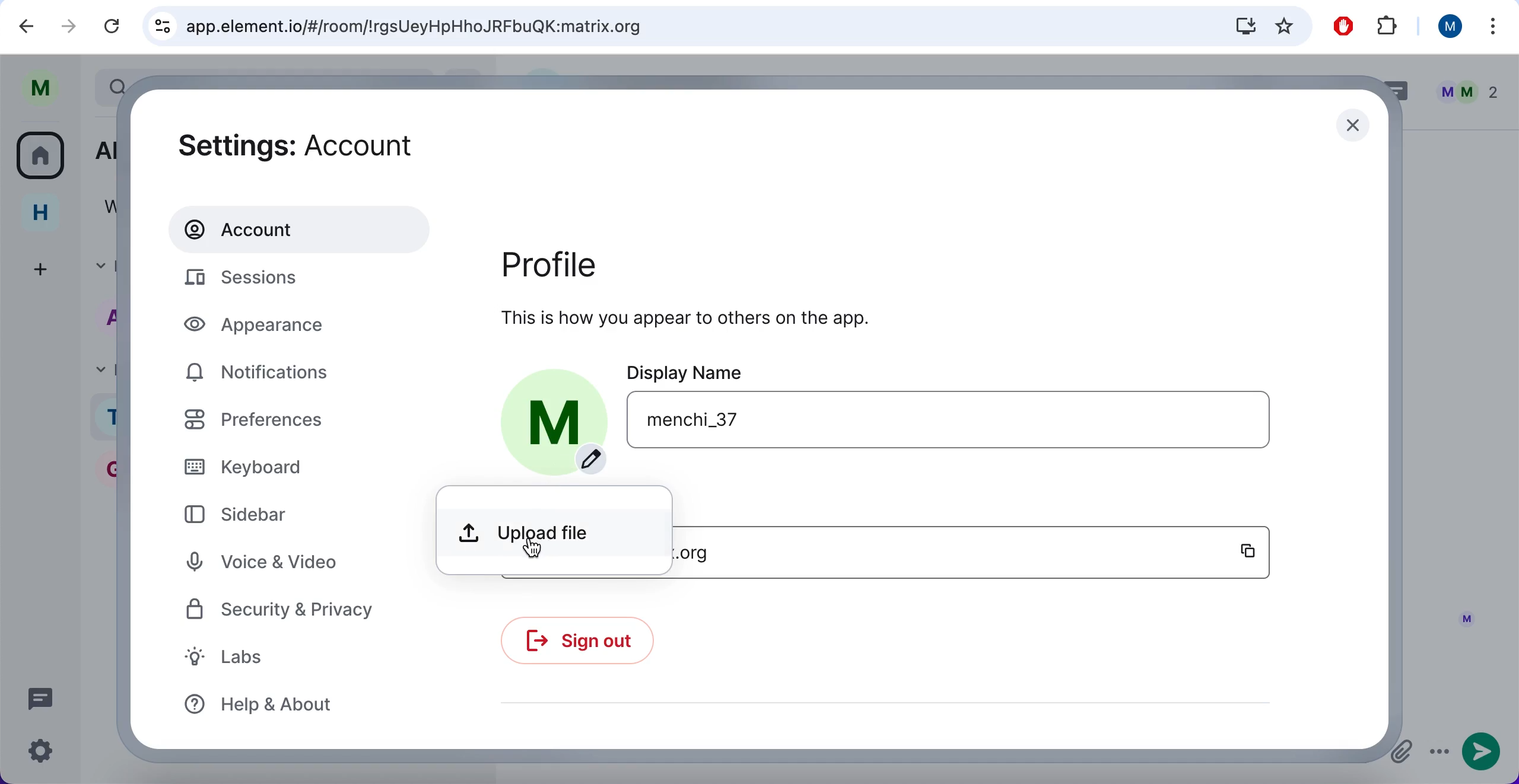 This screenshot has width=1519, height=784. Describe the element at coordinates (21, 27) in the screenshot. I see `backward` at that location.